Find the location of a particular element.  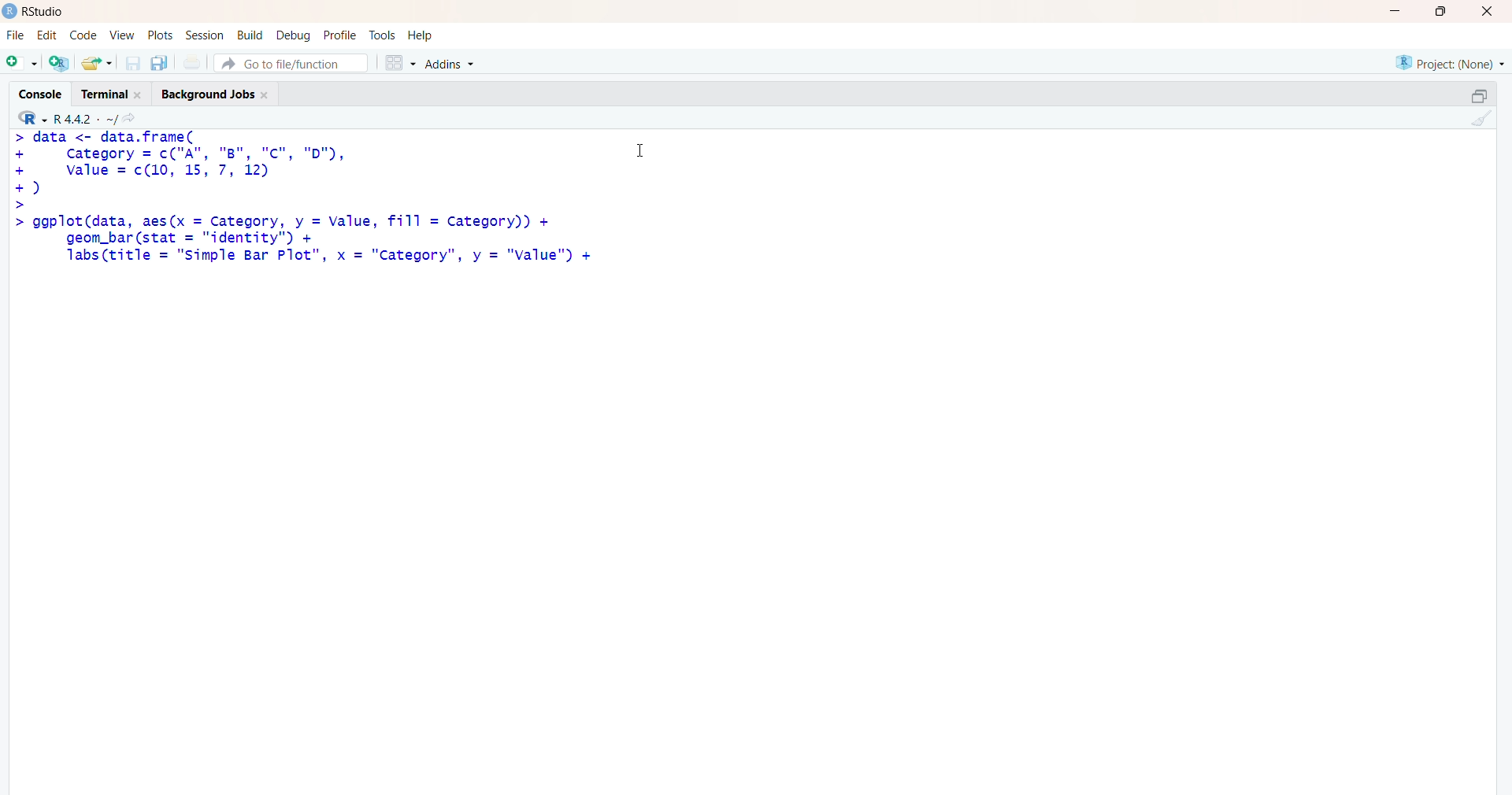

Background Jobs is located at coordinates (214, 91).